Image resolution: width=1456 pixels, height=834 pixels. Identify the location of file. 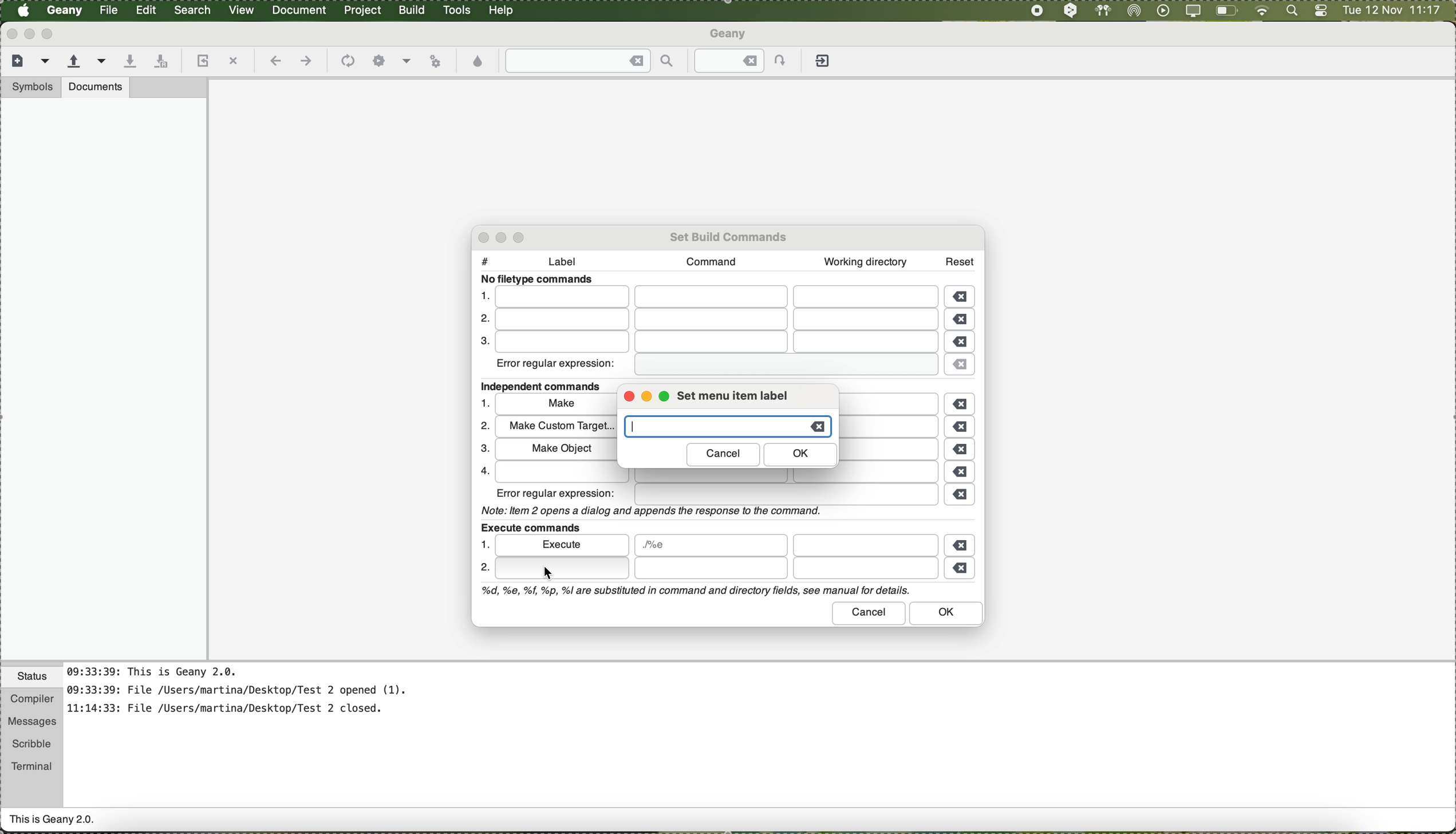
(715, 321).